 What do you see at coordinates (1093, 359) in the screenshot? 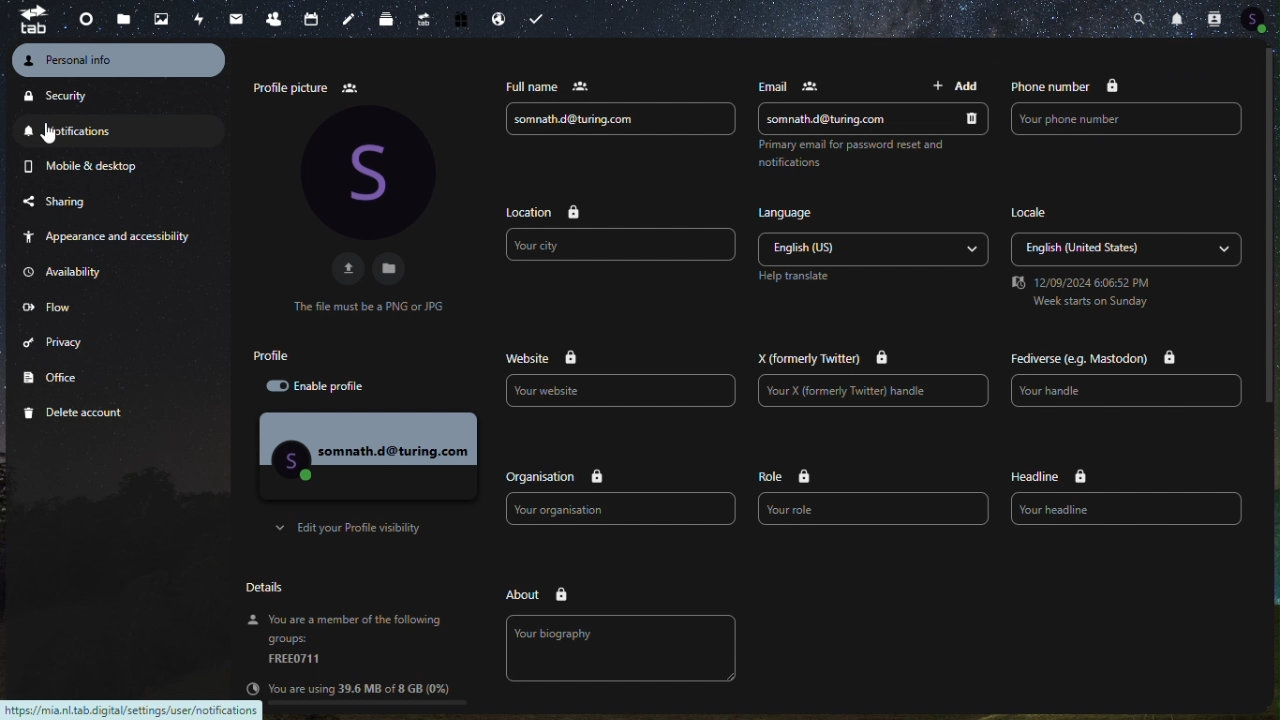
I see `fediverse` at bounding box center [1093, 359].